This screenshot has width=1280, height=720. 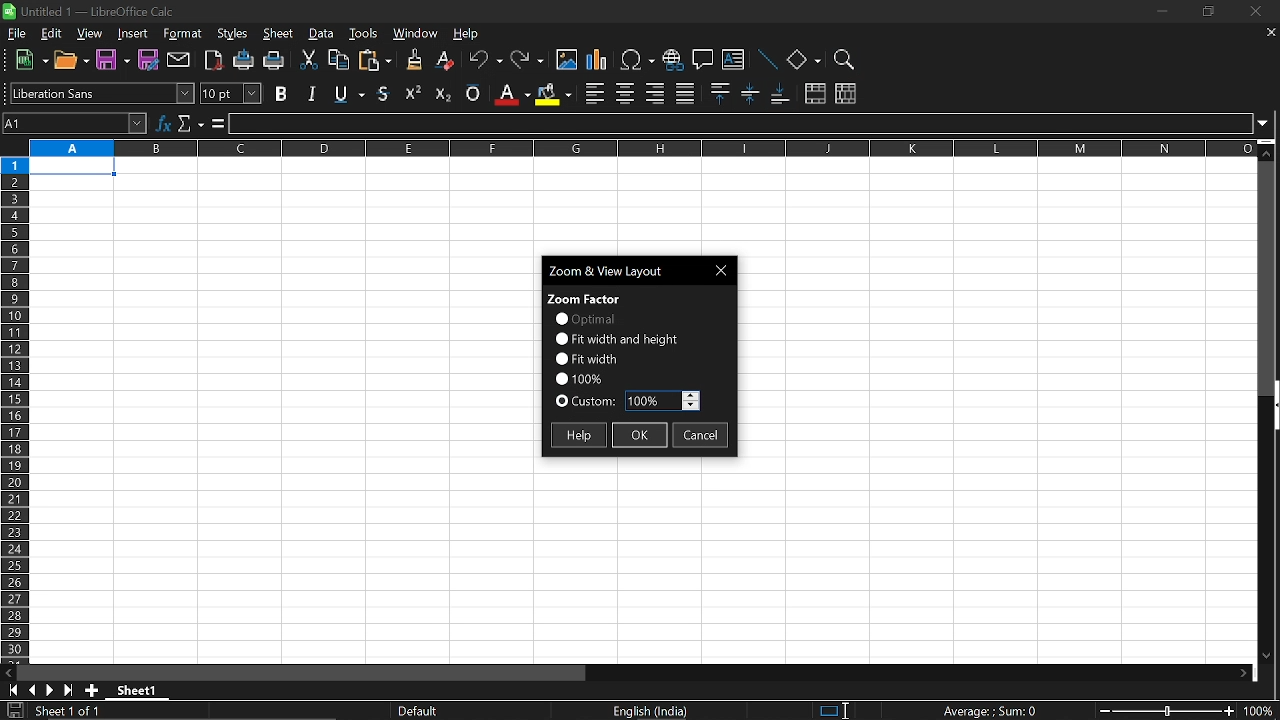 What do you see at coordinates (410, 59) in the screenshot?
I see `clone formatting` at bounding box center [410, 59].